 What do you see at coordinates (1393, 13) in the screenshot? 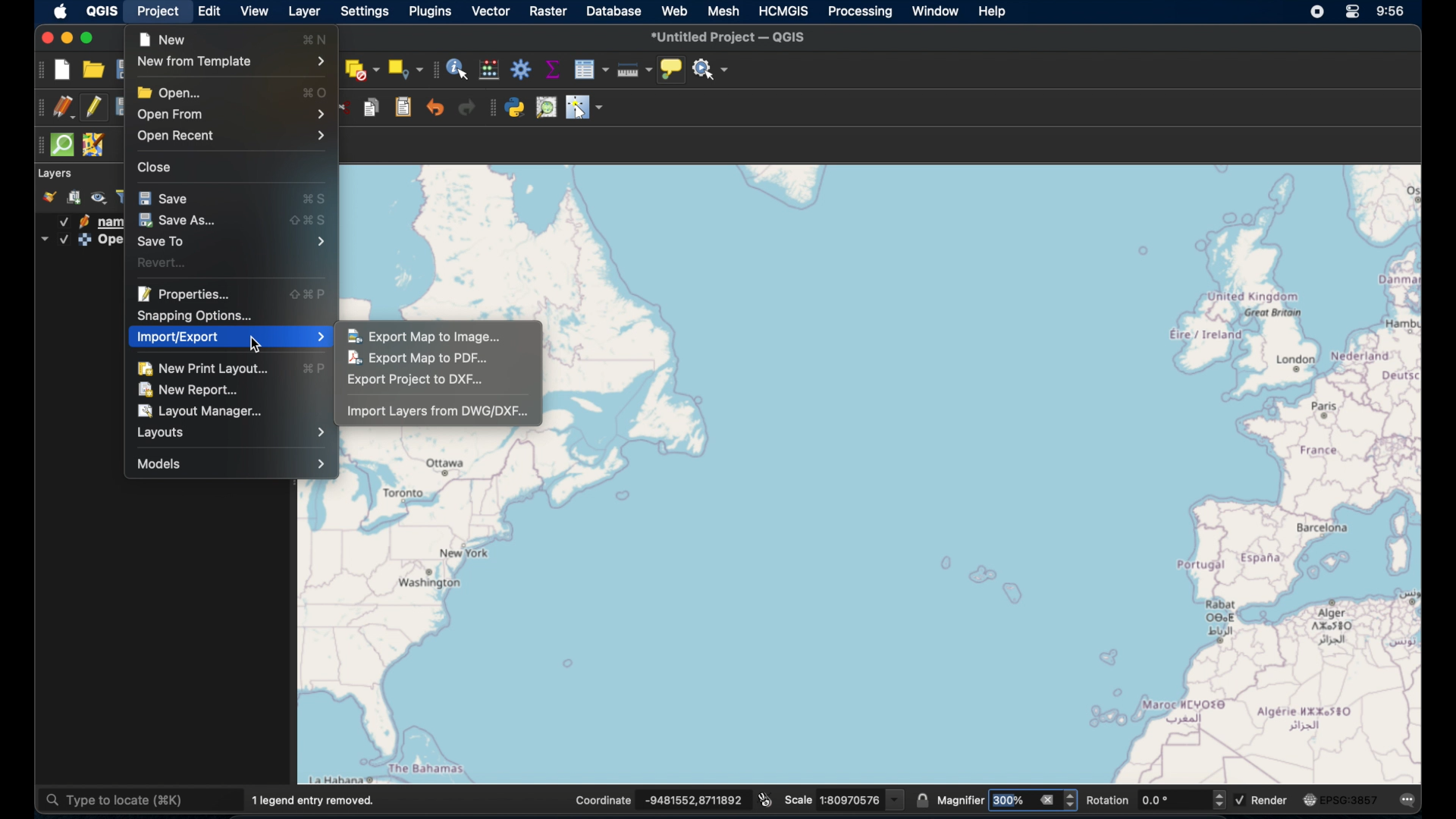
I see `time` at bounding box center [1393, 13].